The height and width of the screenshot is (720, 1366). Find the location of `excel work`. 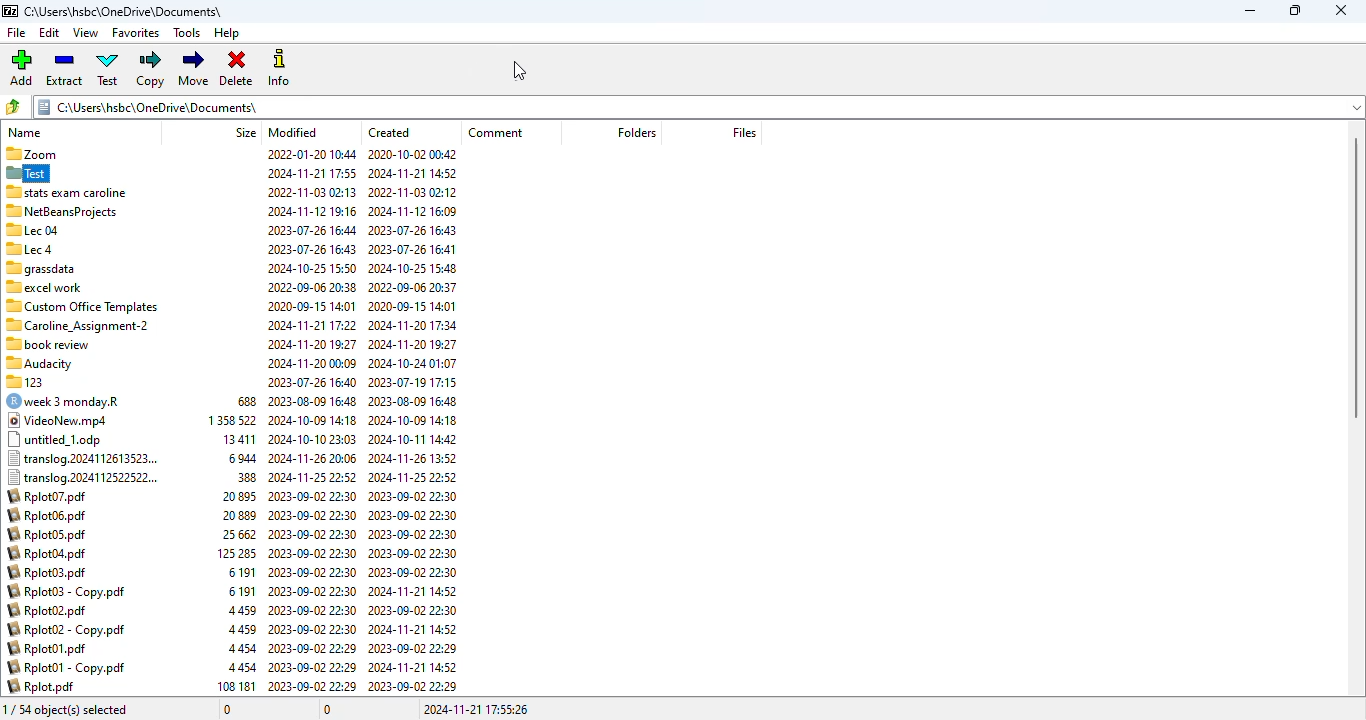

excel work is located at coordinates (44, 287).